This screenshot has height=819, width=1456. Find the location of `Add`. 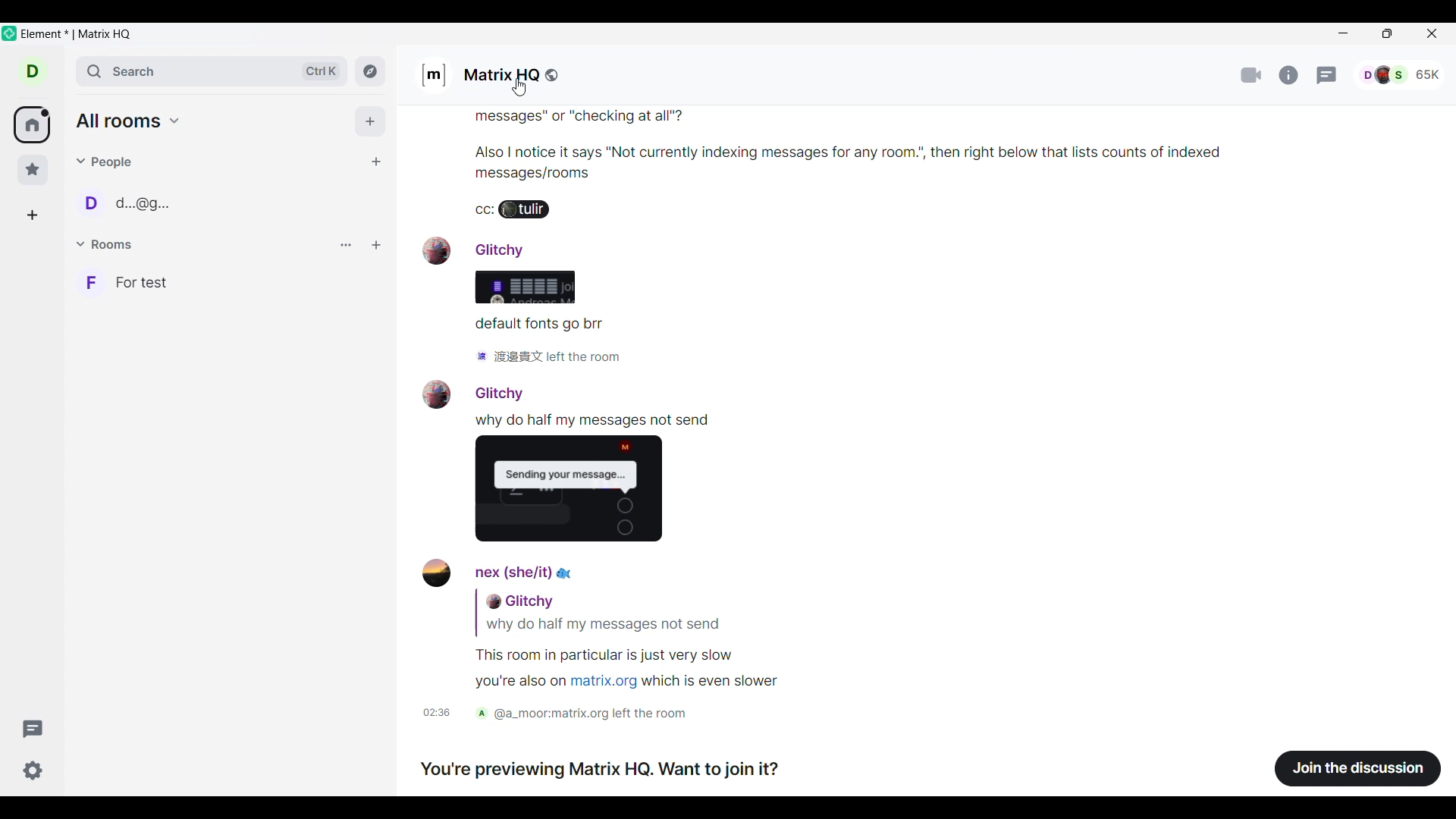

Add is located at coordinates (371, 121).